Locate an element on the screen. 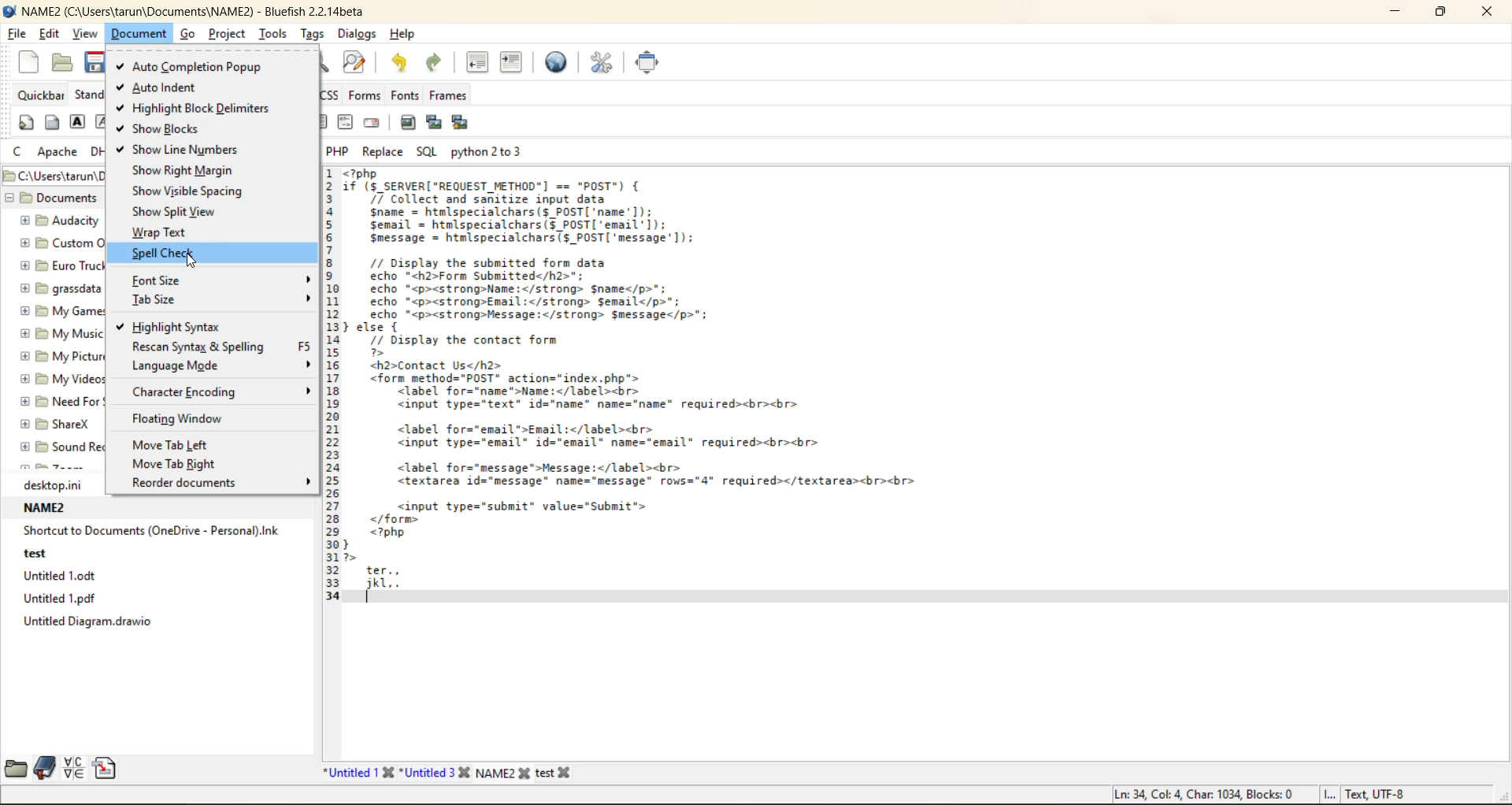 The image size is (1512, 805). open is located at coordinates (59, 63).